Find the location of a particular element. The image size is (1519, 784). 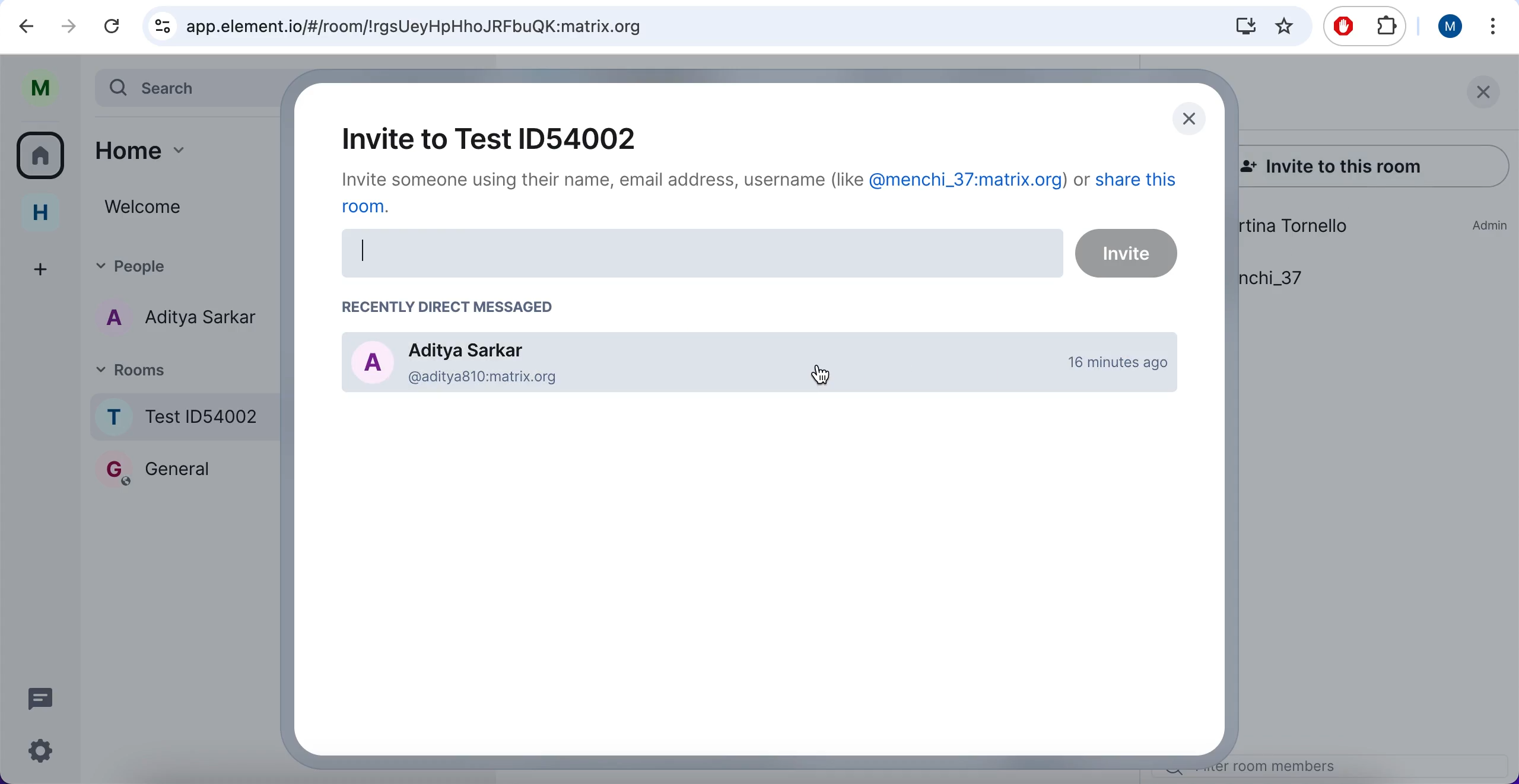

reload current page is located at coordinates (111, 28).